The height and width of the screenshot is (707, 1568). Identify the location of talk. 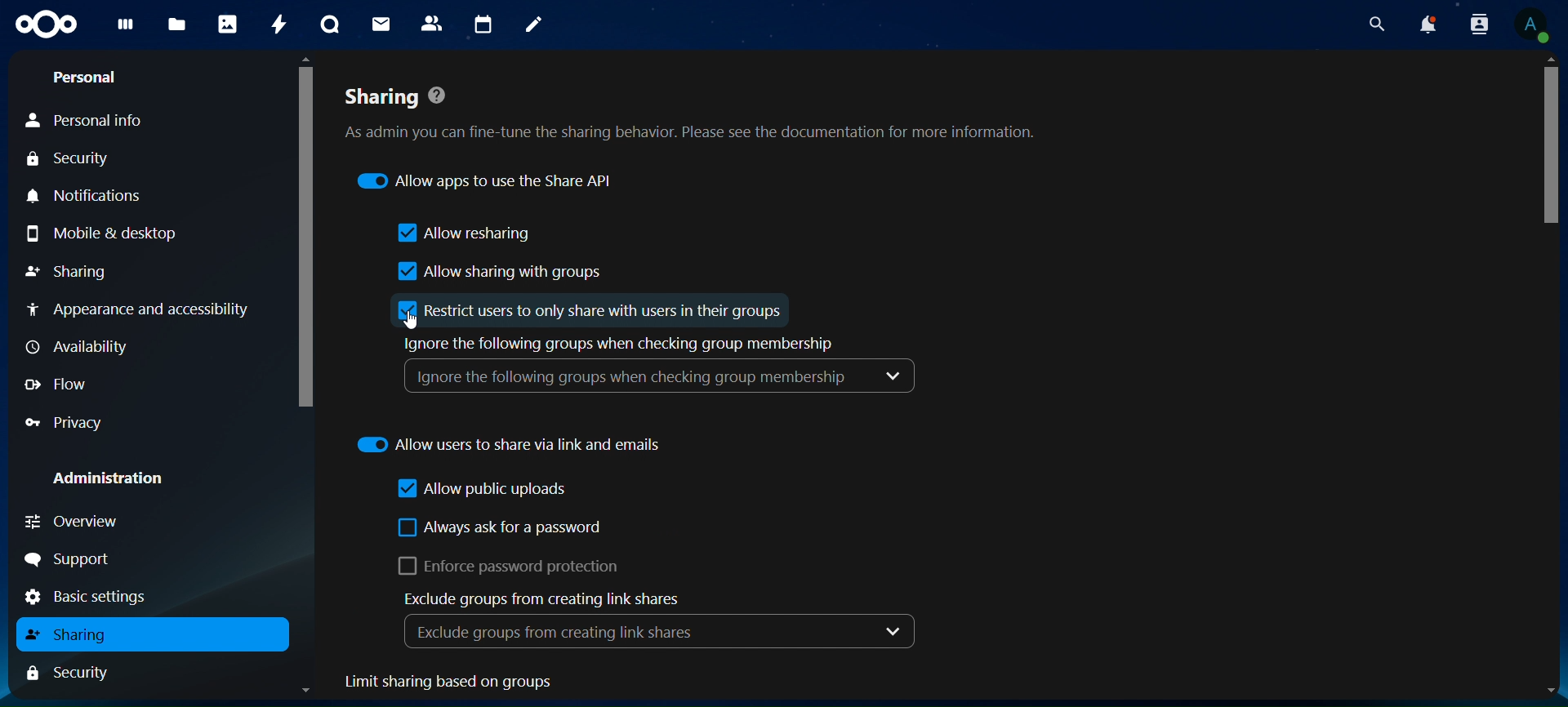
(330, 23).